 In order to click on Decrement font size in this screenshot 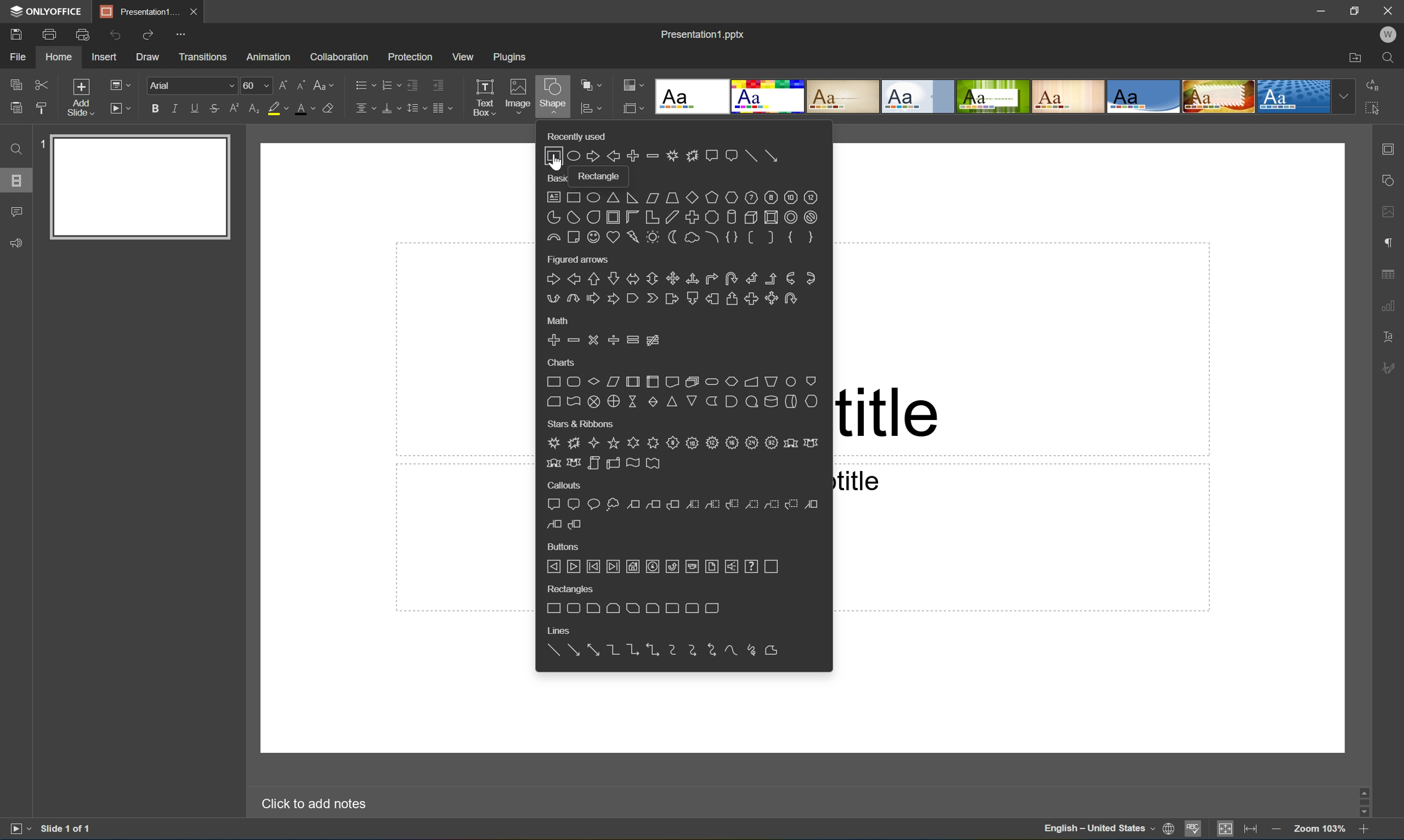, I will do `click(301, 84)`.